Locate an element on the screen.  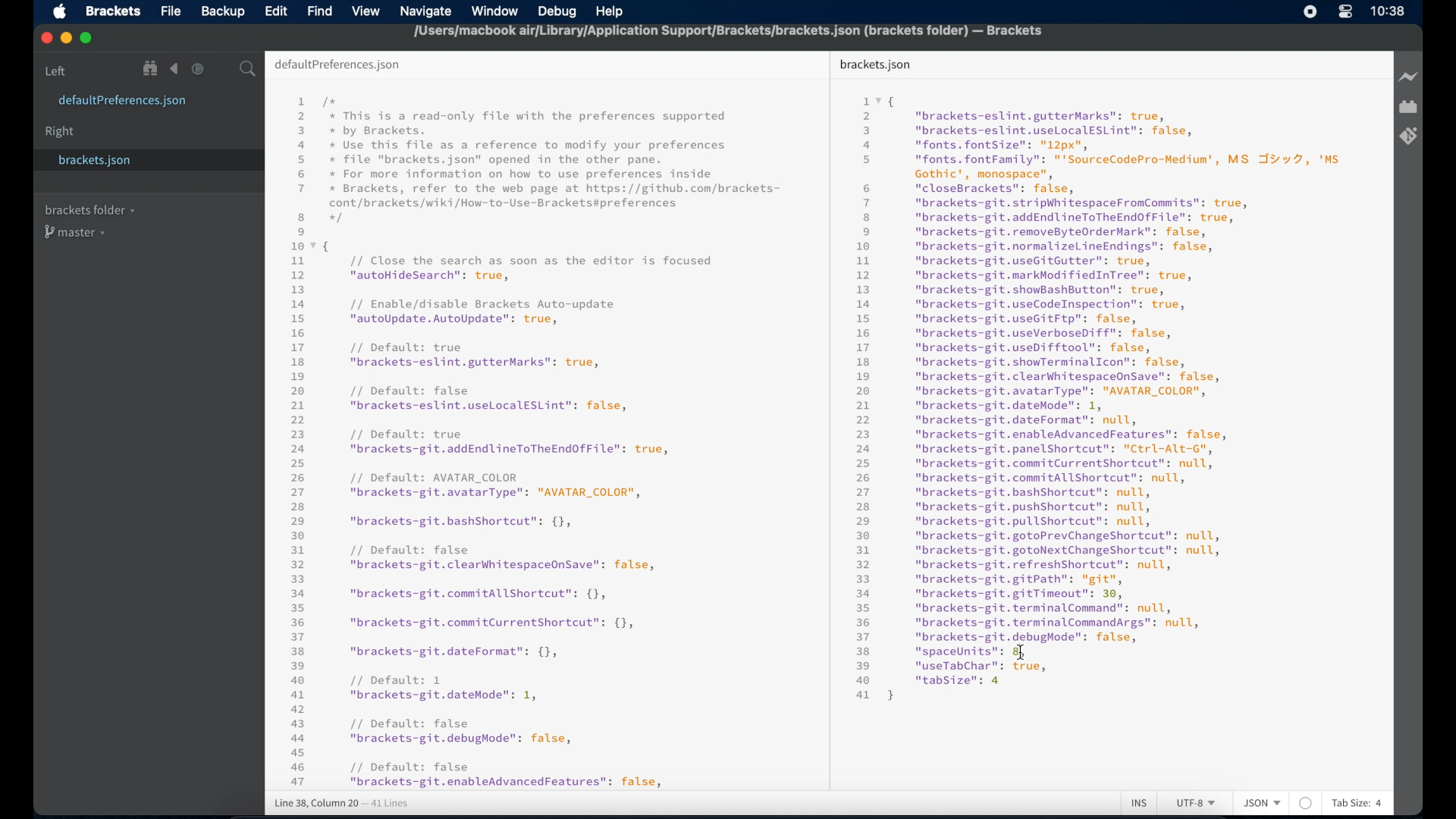
close is located at coordinates (47, 39).